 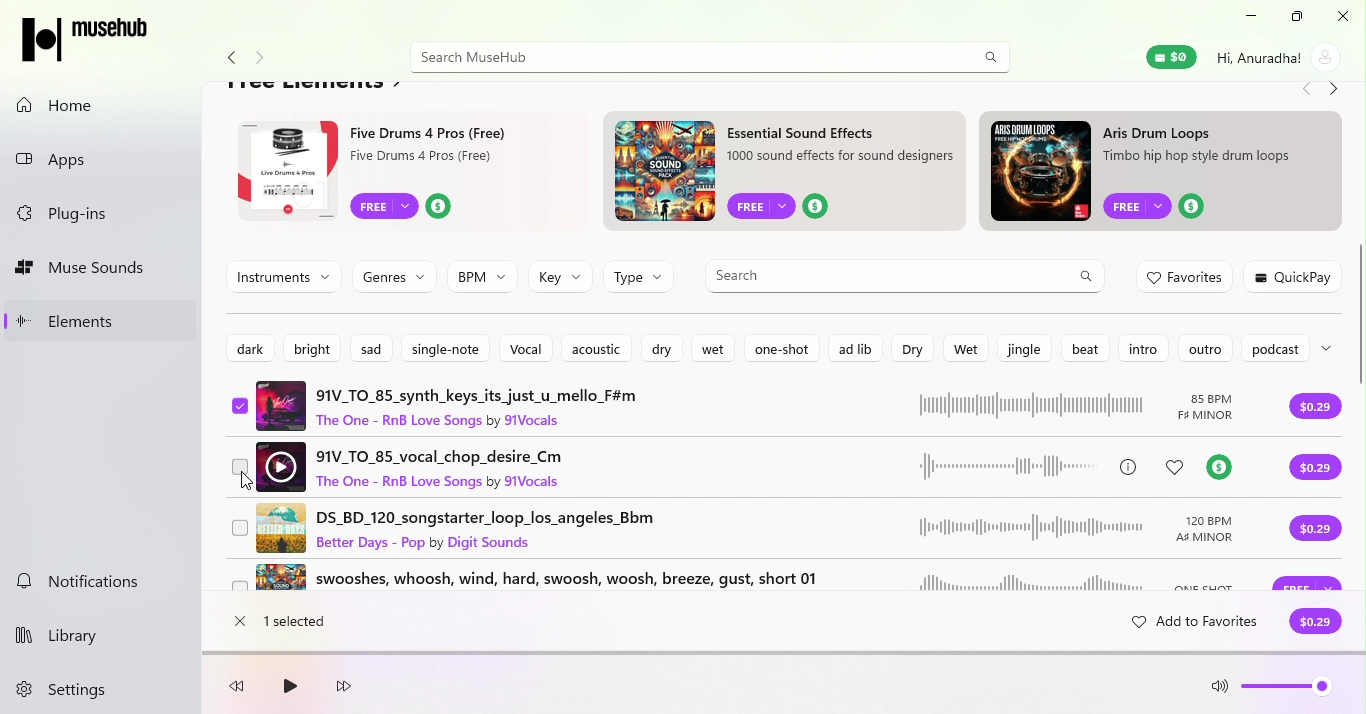 What do you see at coordinates (1142, 349) in the screenshot?
I see `Intro` at bounding box center [1142, 349].